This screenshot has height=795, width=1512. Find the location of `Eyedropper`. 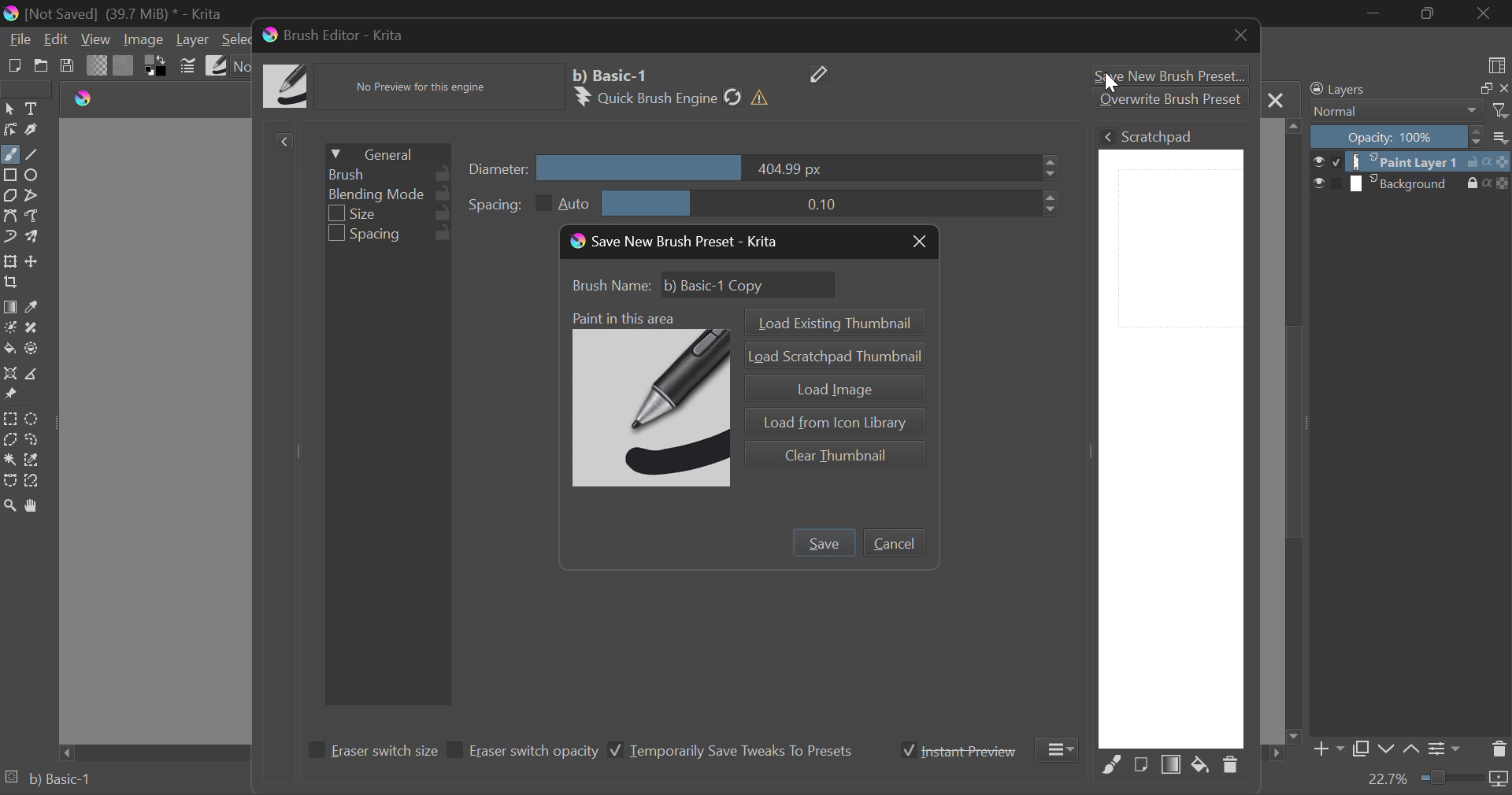

Eyedropper is located at coordinates (35, 307).